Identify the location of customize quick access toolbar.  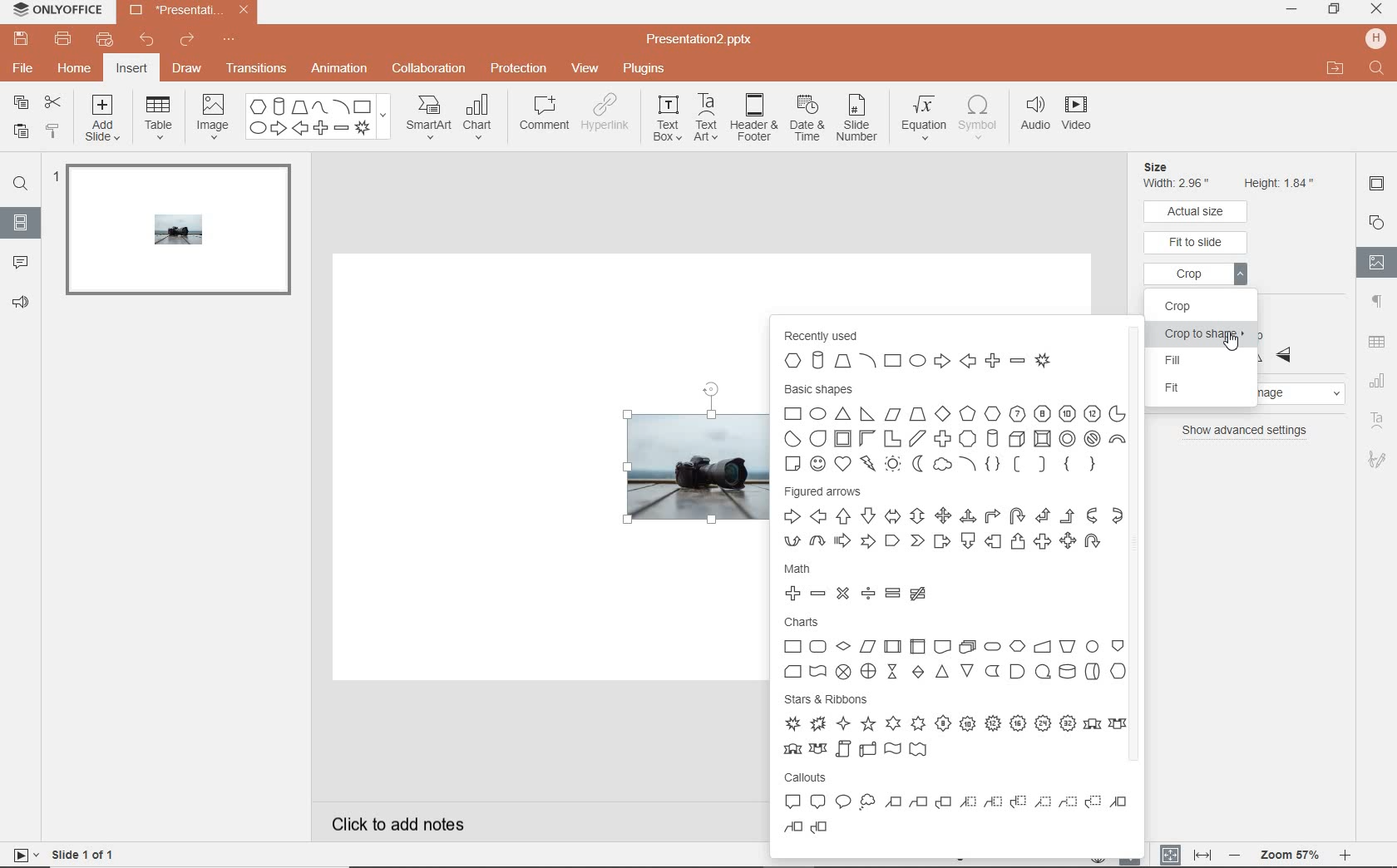
(239, 42).